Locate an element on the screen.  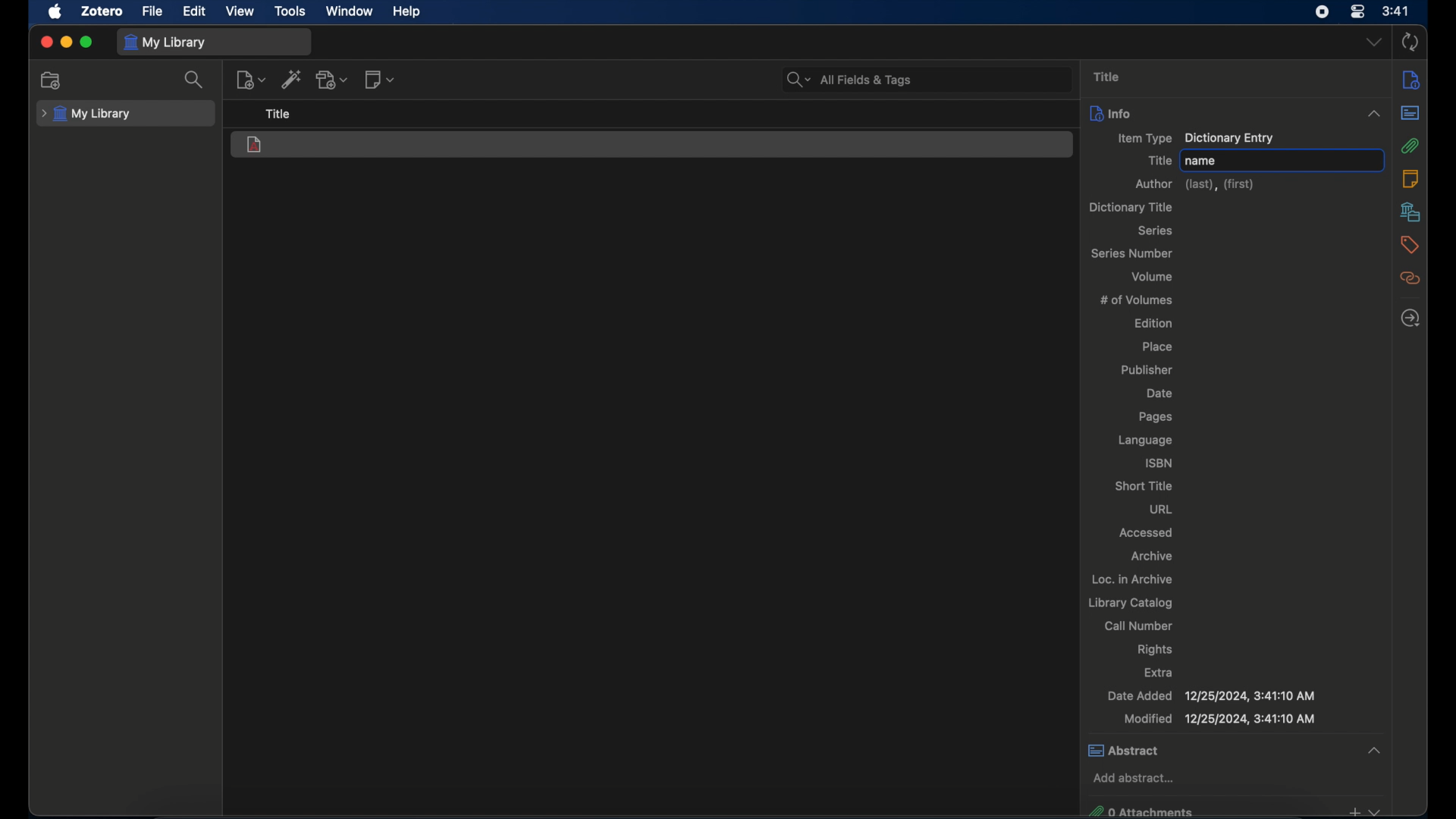
language is located at coordinates (1147, 441).